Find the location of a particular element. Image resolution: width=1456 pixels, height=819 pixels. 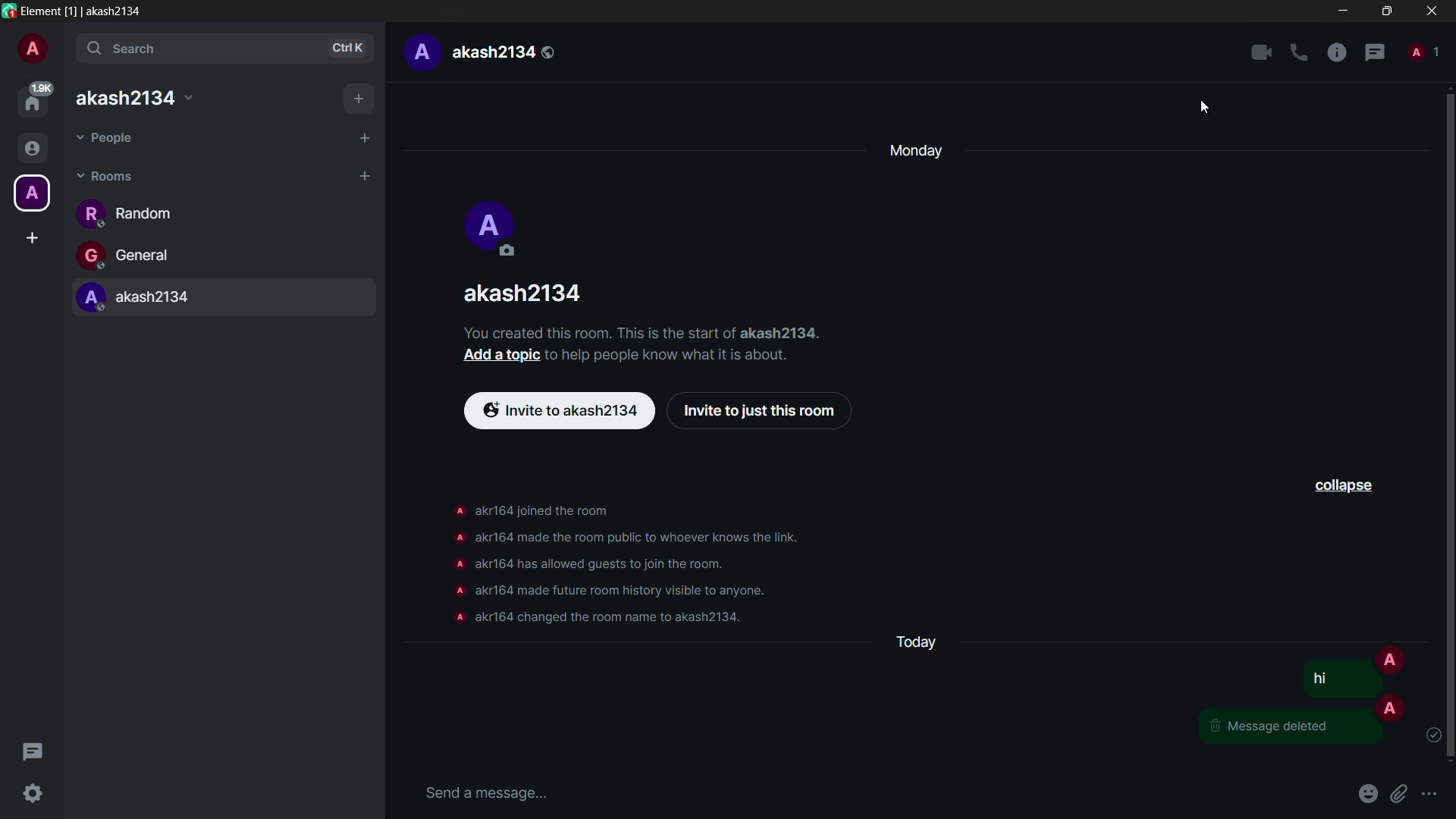

akash2134 is located at coordinates (526, 293).